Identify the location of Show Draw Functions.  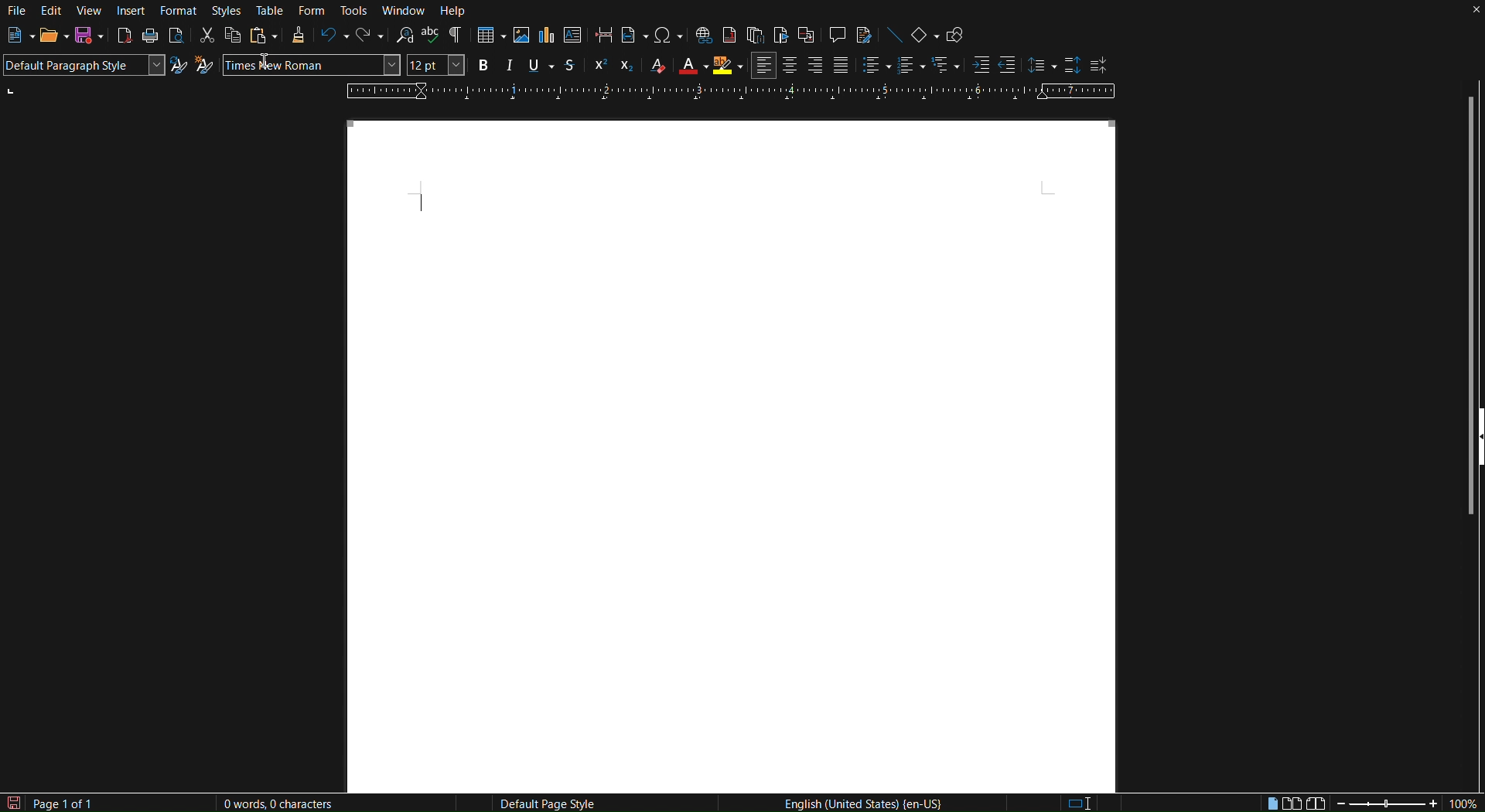
(955, 37).